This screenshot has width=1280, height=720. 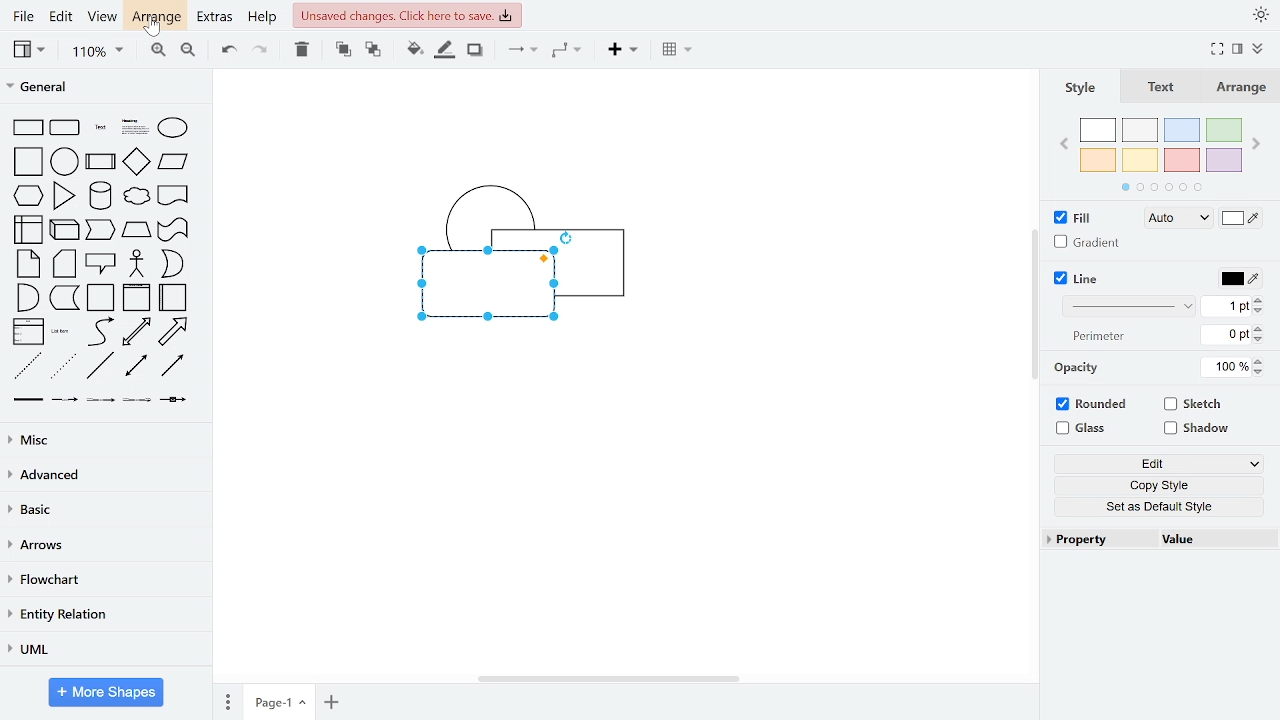 I want to click on current page, so click(x=278, y=700).